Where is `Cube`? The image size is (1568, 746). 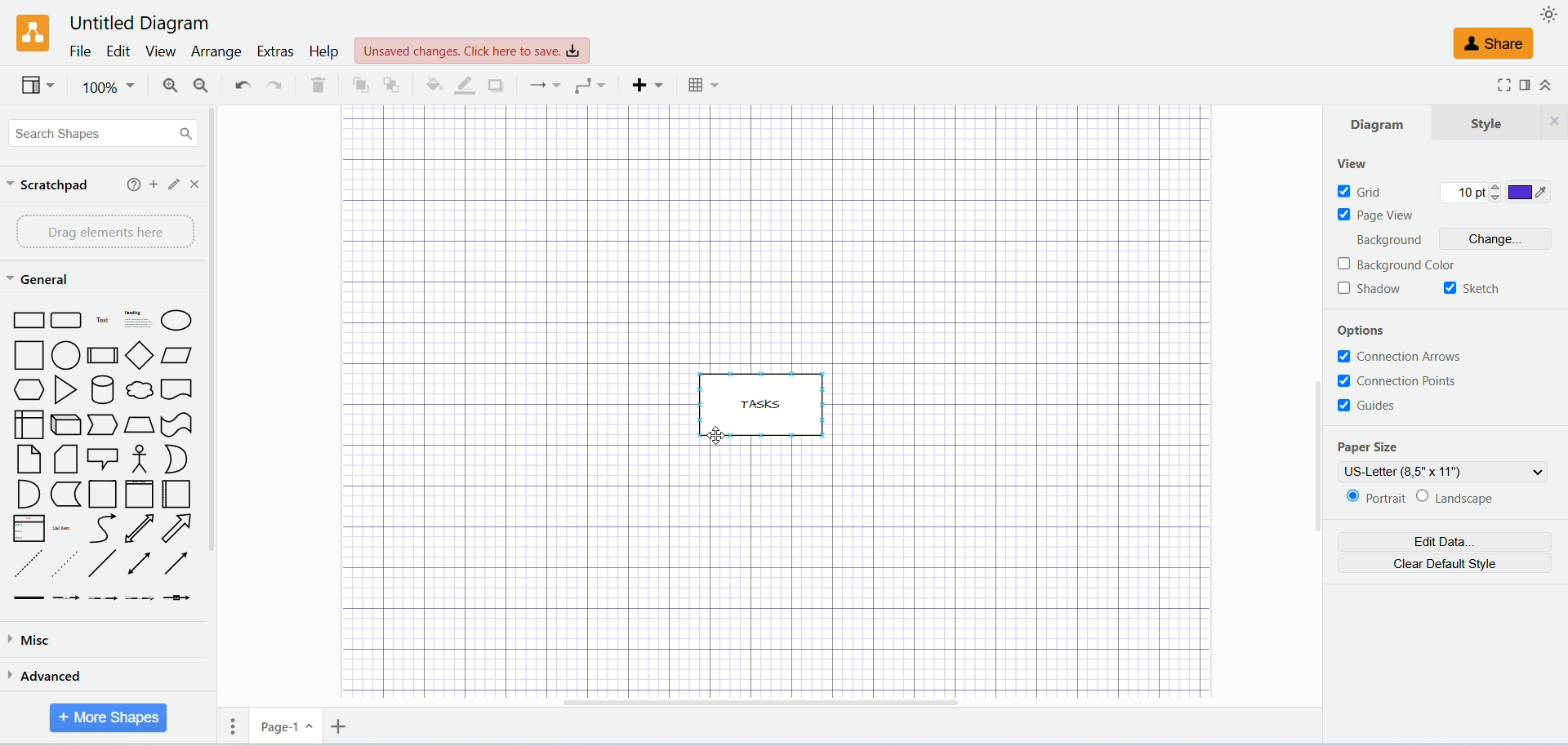 Cube is located at coordinates (65, 425).